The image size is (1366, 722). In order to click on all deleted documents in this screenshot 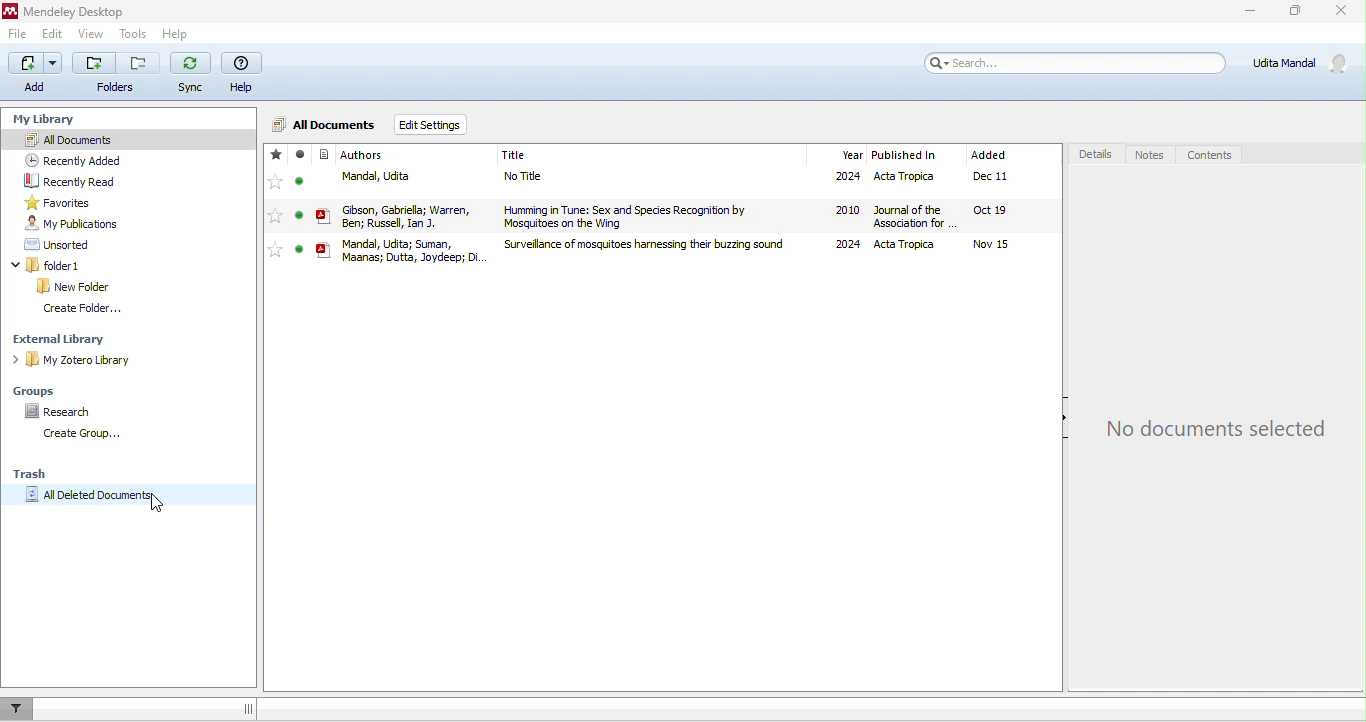, I will do `click(112, 499)`.